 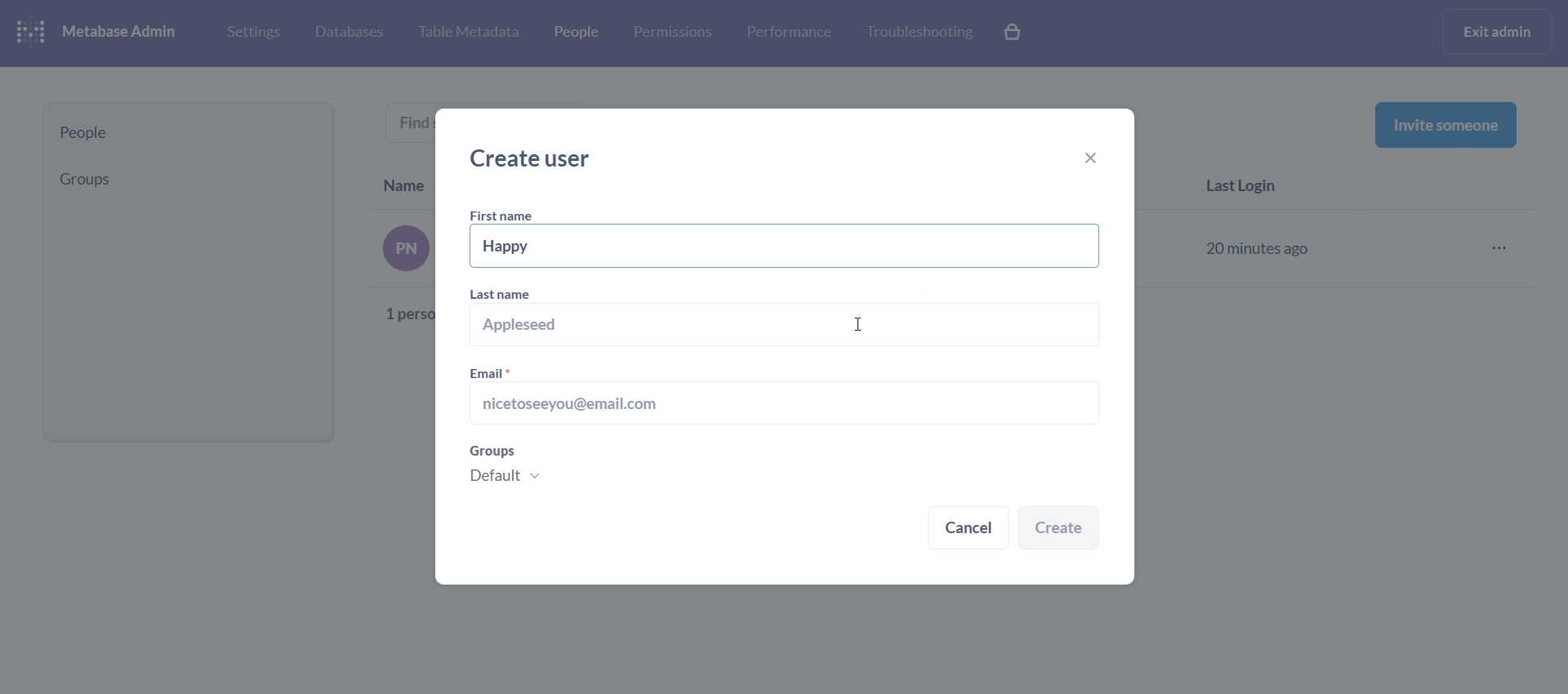 I want to click on happy, so click(x=787, y=247).